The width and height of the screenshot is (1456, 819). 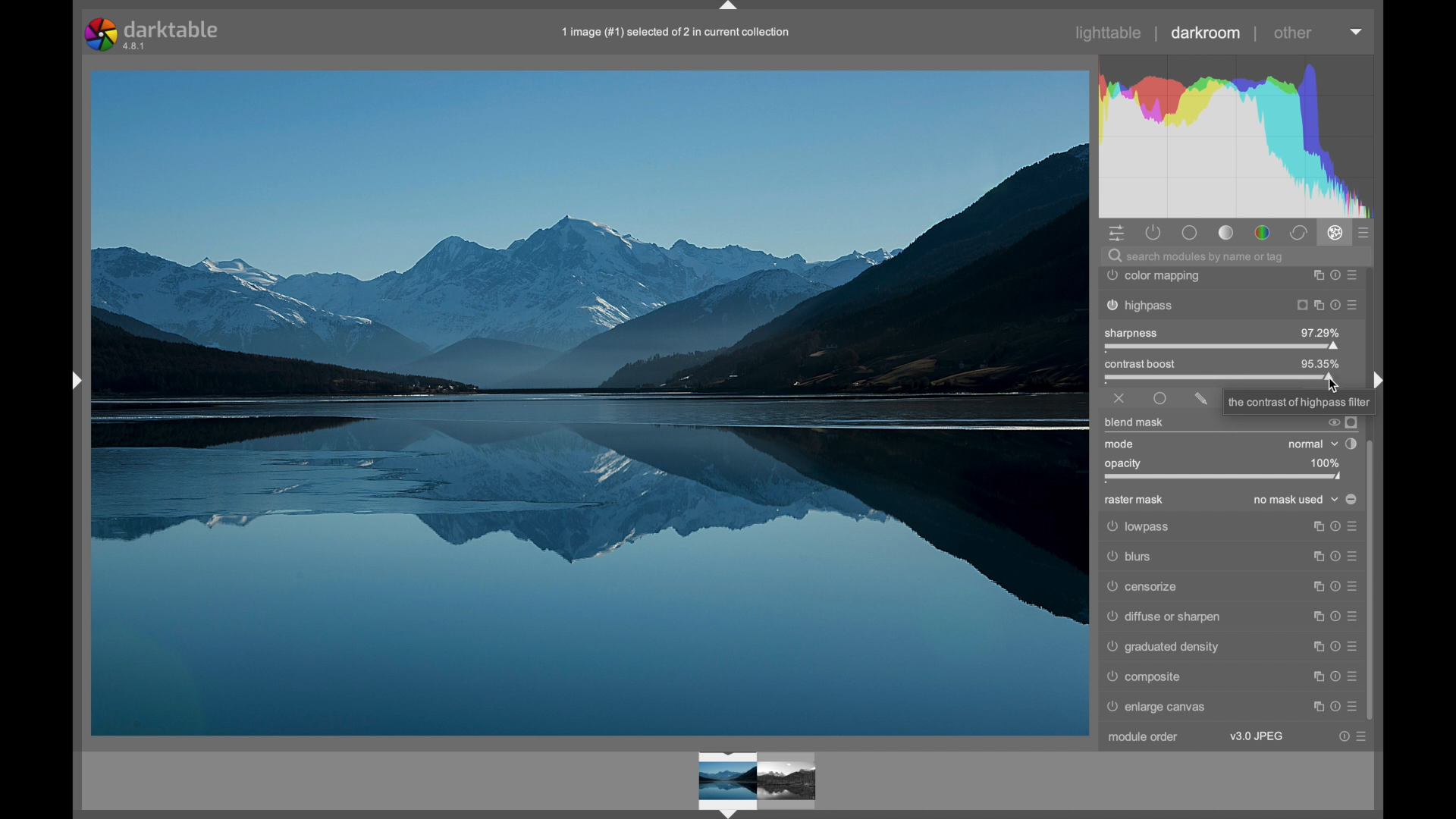 What do you see at coordinates (677, 33) in the screenshot?
I see `filename` at bounding box center [677, 33].